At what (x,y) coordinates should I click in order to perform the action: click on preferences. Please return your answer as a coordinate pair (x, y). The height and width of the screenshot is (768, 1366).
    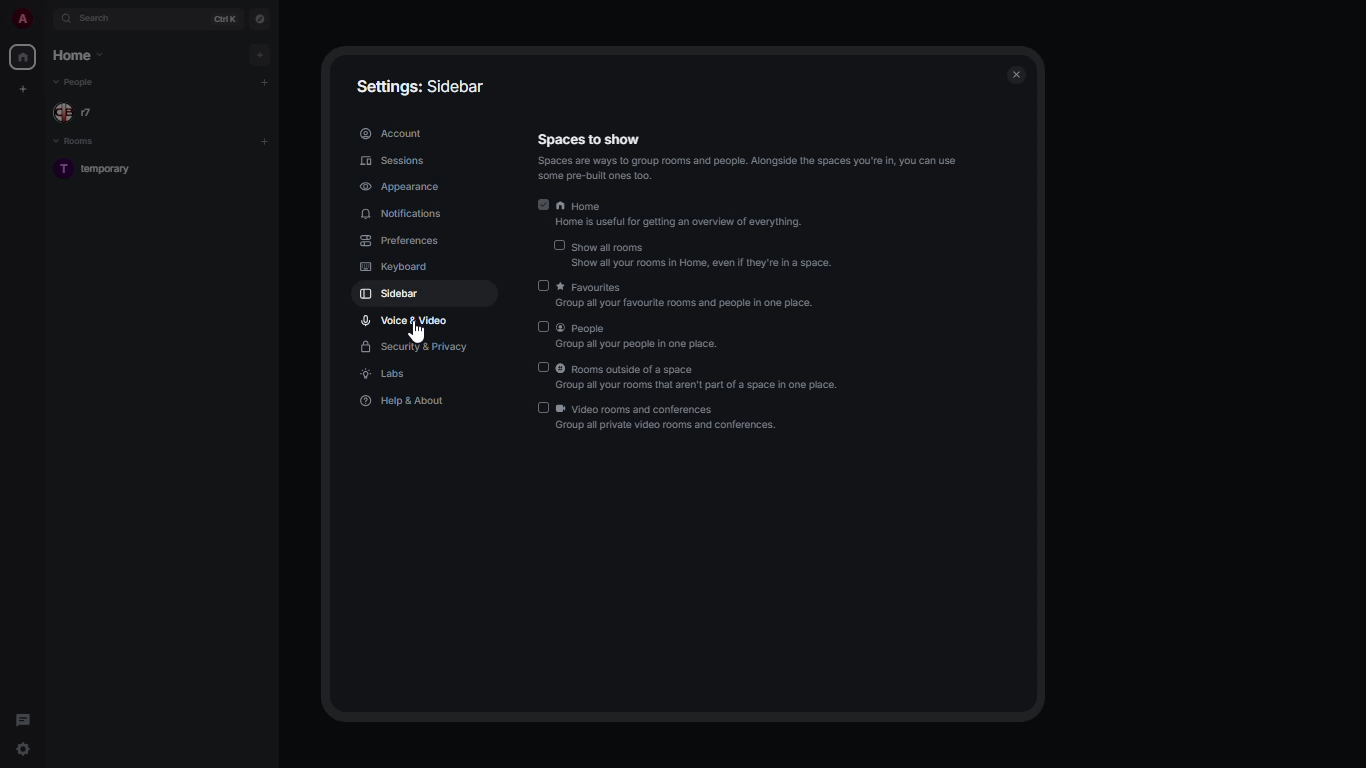
    Looking at the image, I should click on (404, 241).